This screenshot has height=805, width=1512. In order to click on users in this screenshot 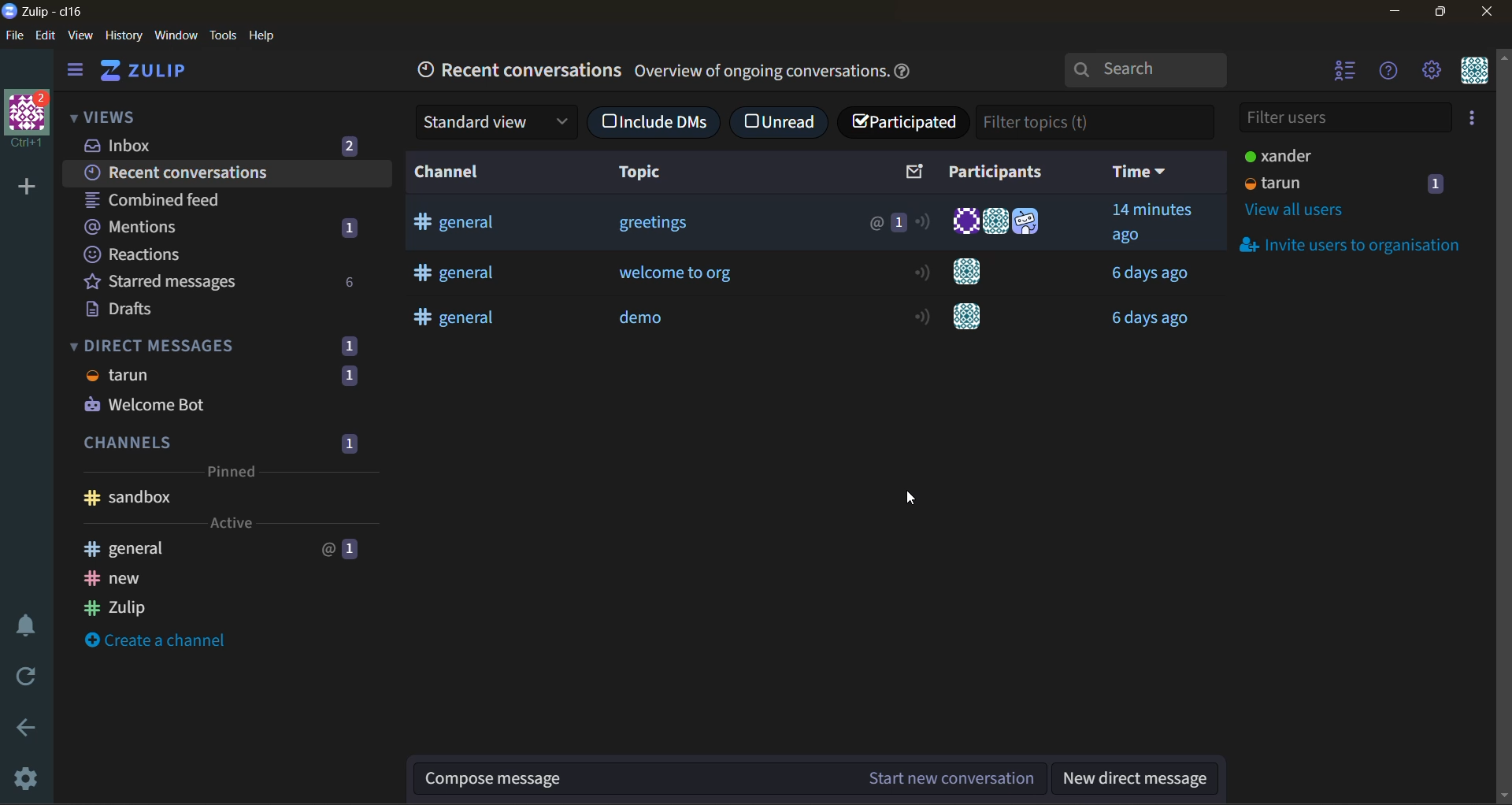, I will do `click(968, 272)`.